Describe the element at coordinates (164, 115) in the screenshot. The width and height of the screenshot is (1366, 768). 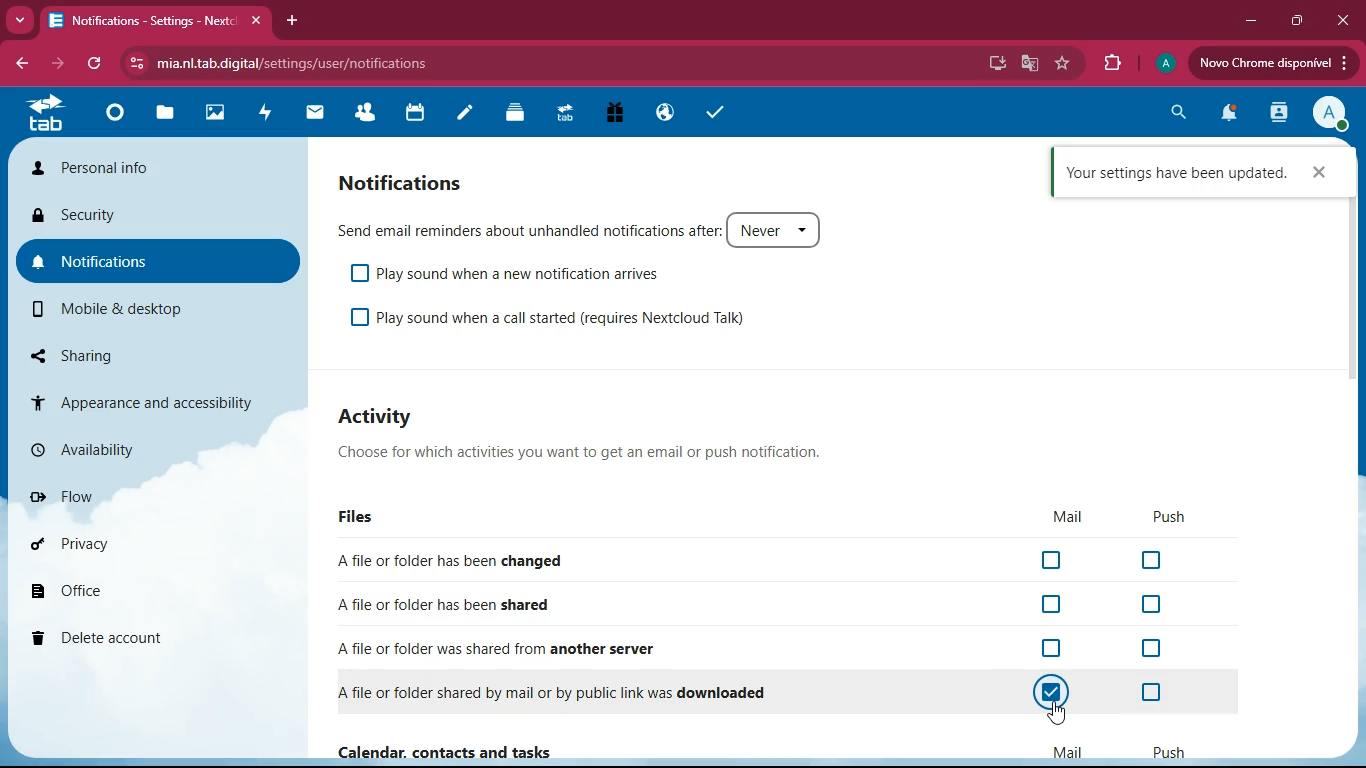
I see `files` at that location.